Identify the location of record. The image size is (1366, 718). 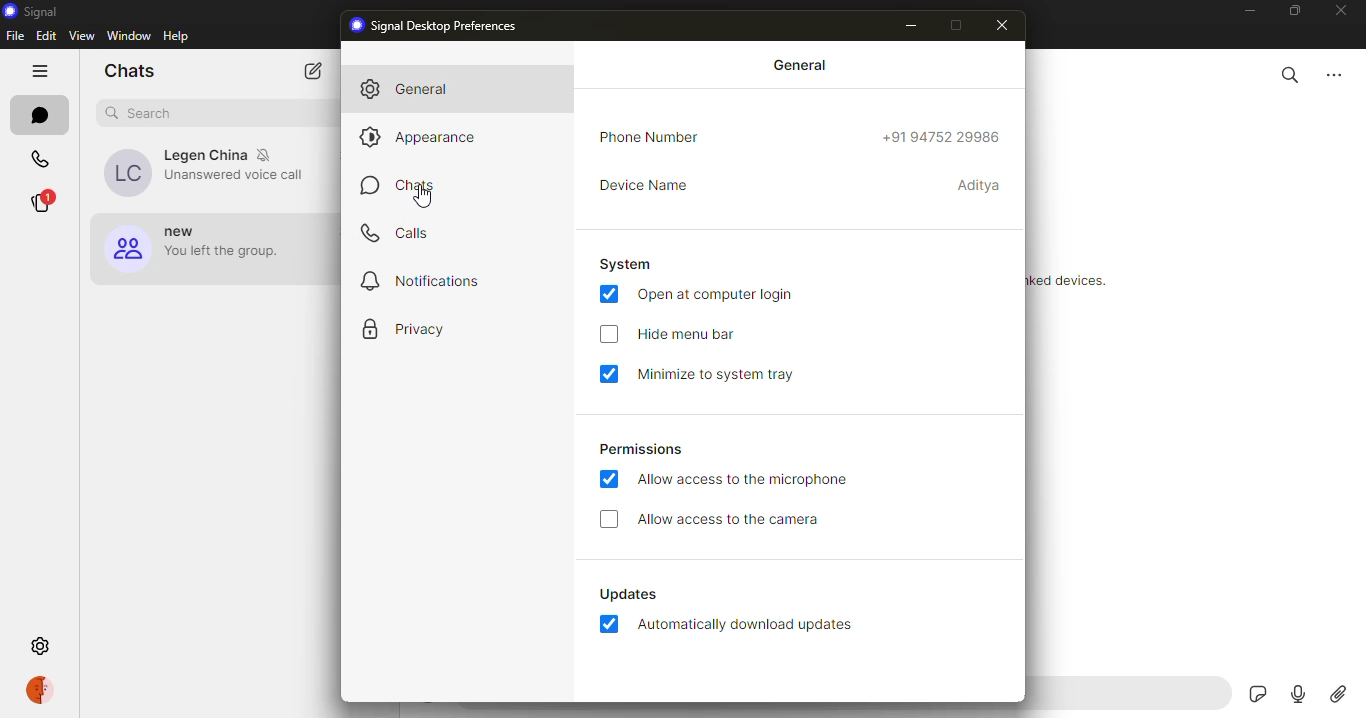
(1298, 697).